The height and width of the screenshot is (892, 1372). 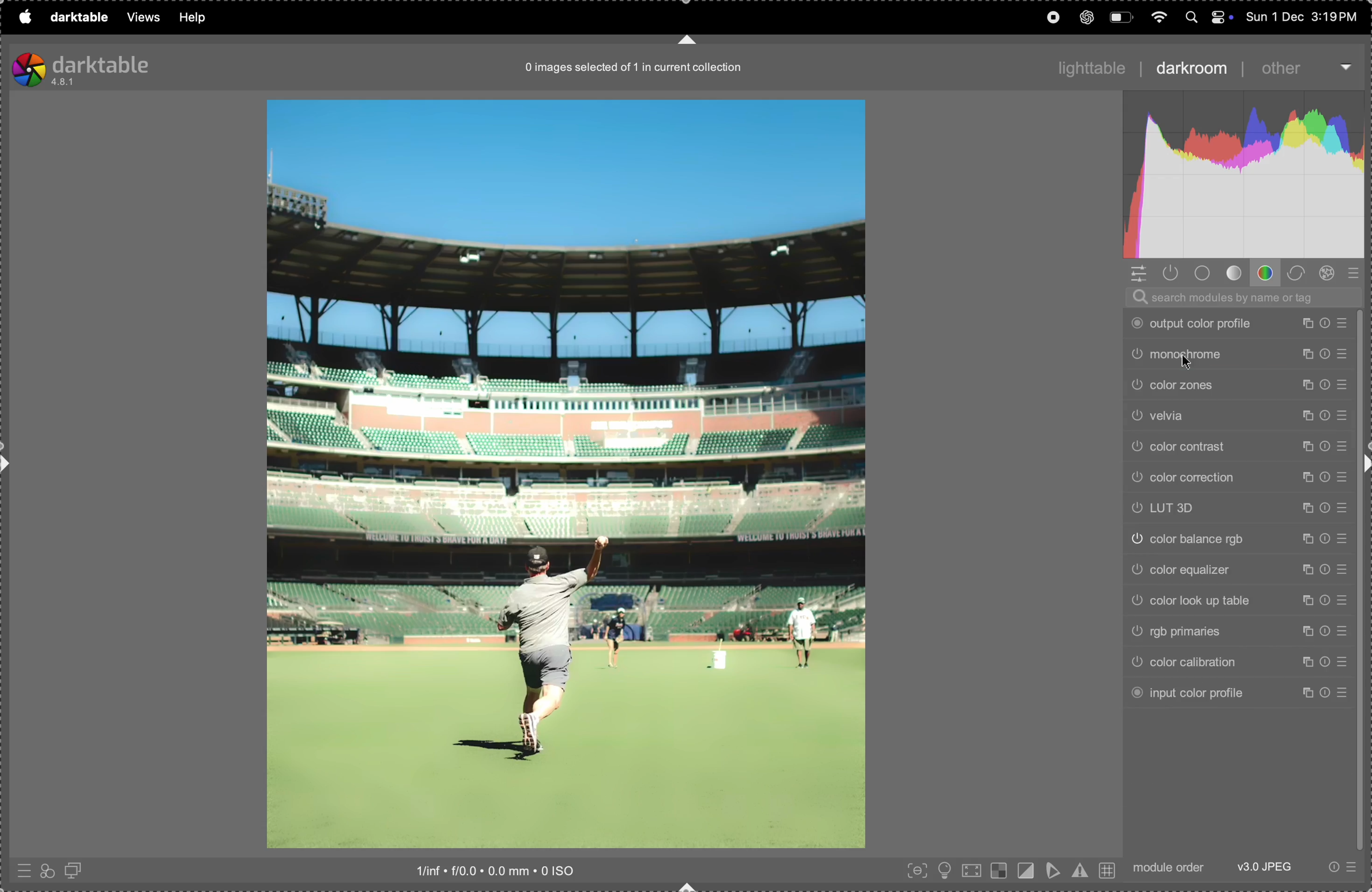 What do you see at coordinates (1239, 415) in the screenshot?
I see `velvia` at bounding box center [1239, 415].